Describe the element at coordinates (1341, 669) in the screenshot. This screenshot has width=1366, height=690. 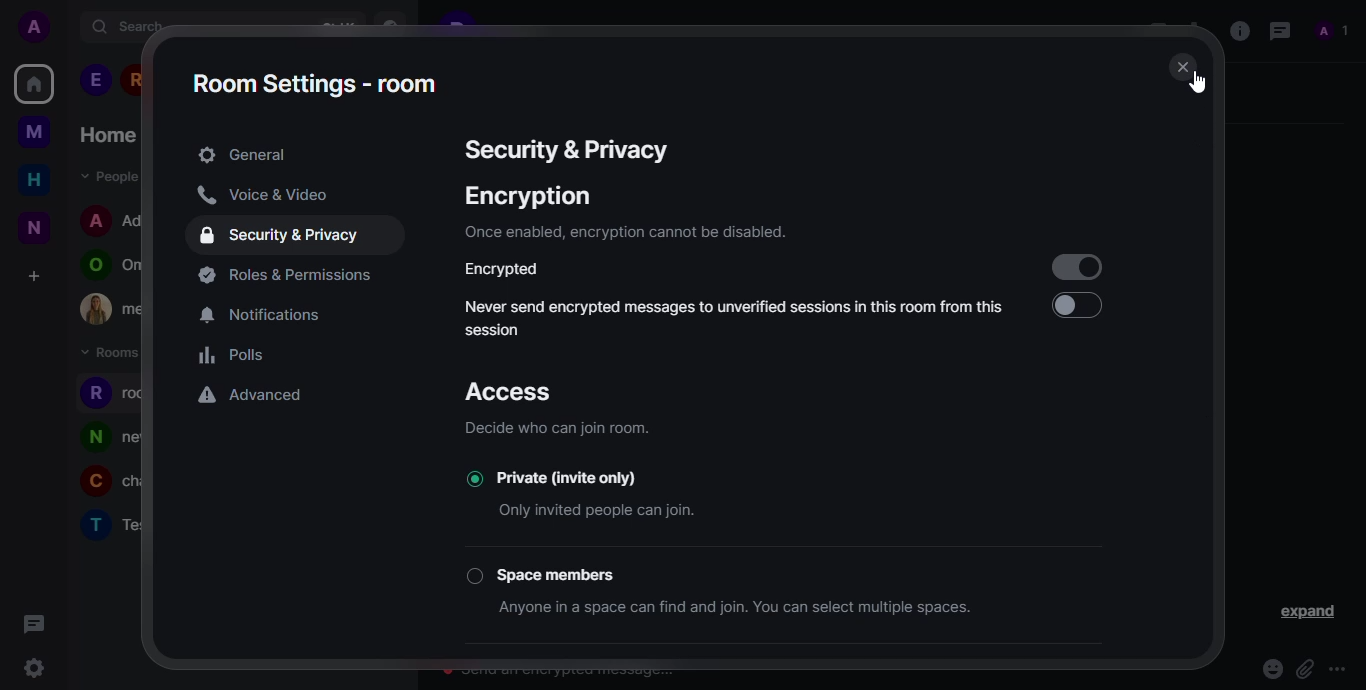
I see `more` at that location.